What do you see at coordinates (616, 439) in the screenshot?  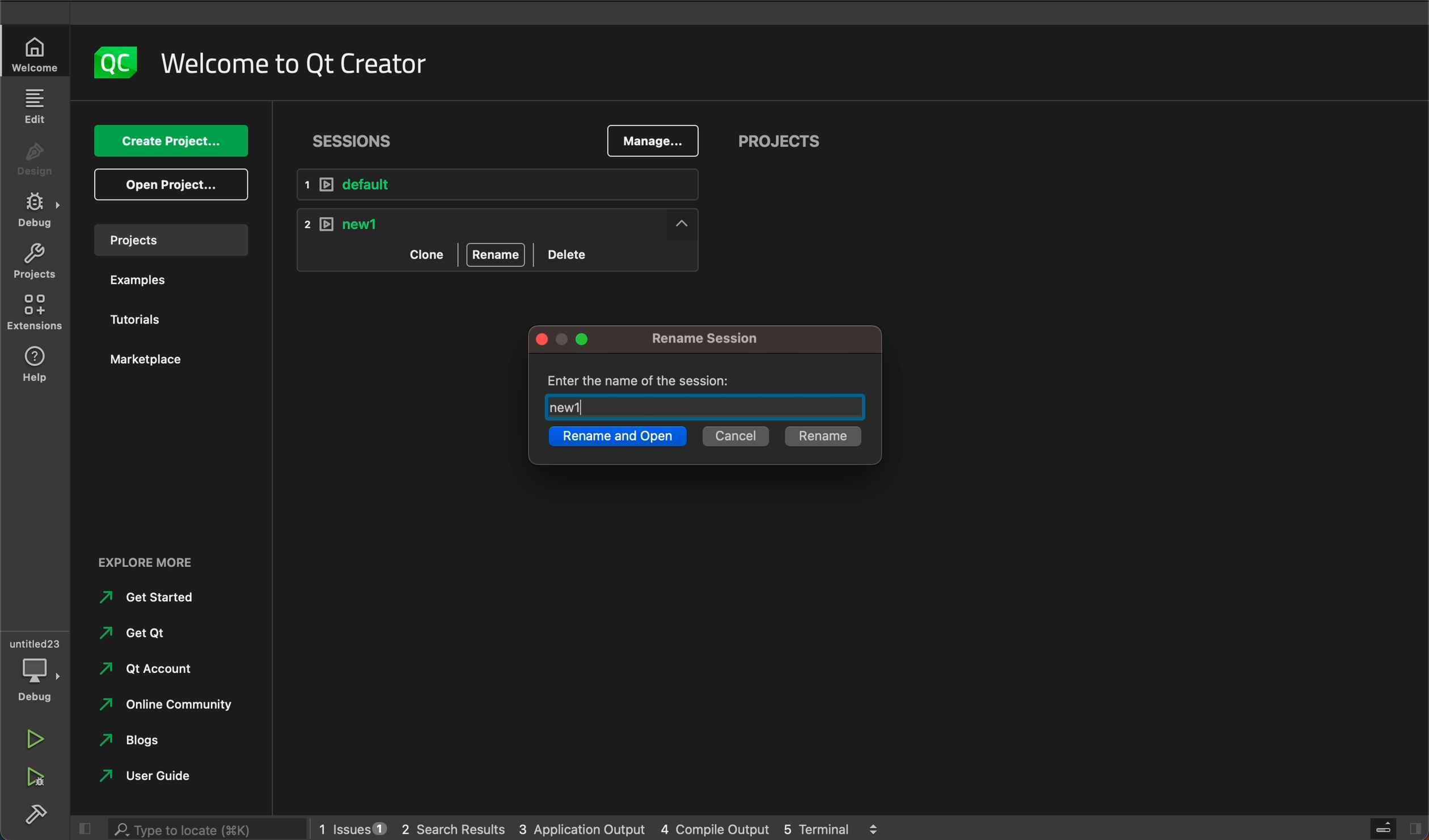 I see `rename and open` at bounding box center [616, 439].